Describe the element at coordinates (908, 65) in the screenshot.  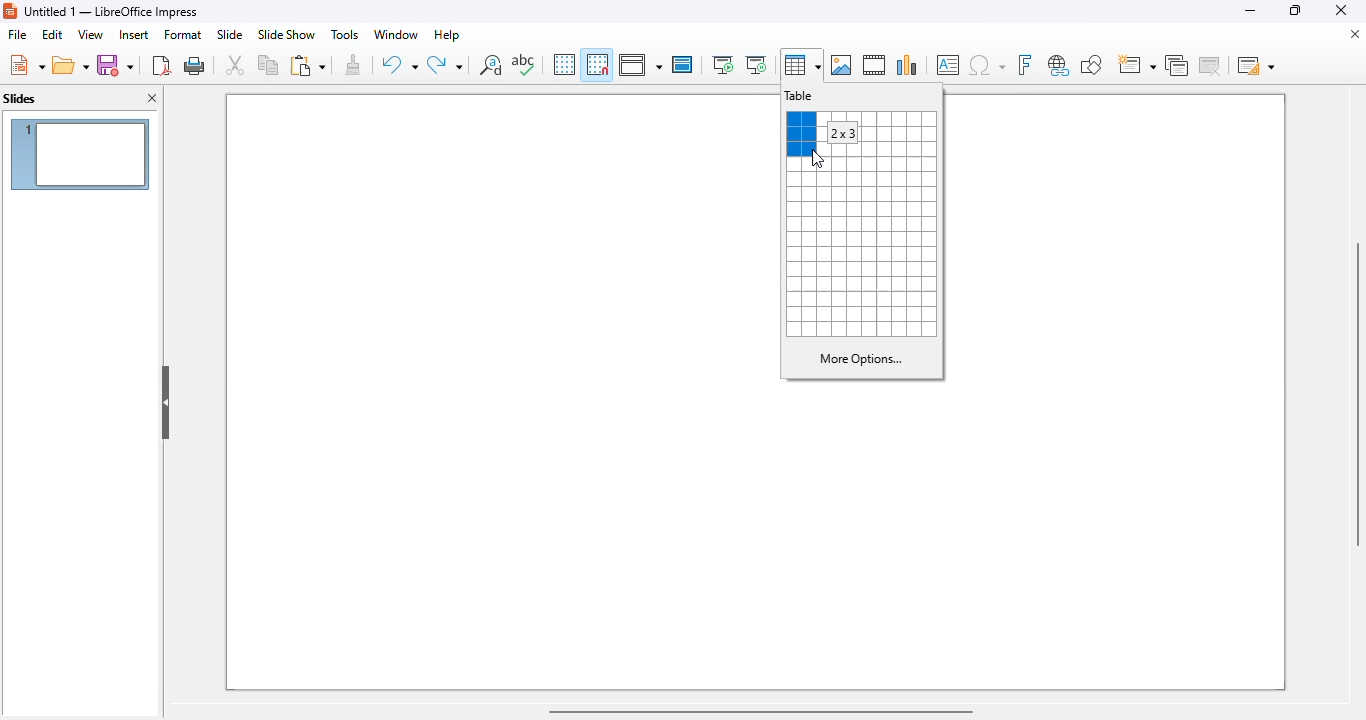
I see `insert chart` at that location.